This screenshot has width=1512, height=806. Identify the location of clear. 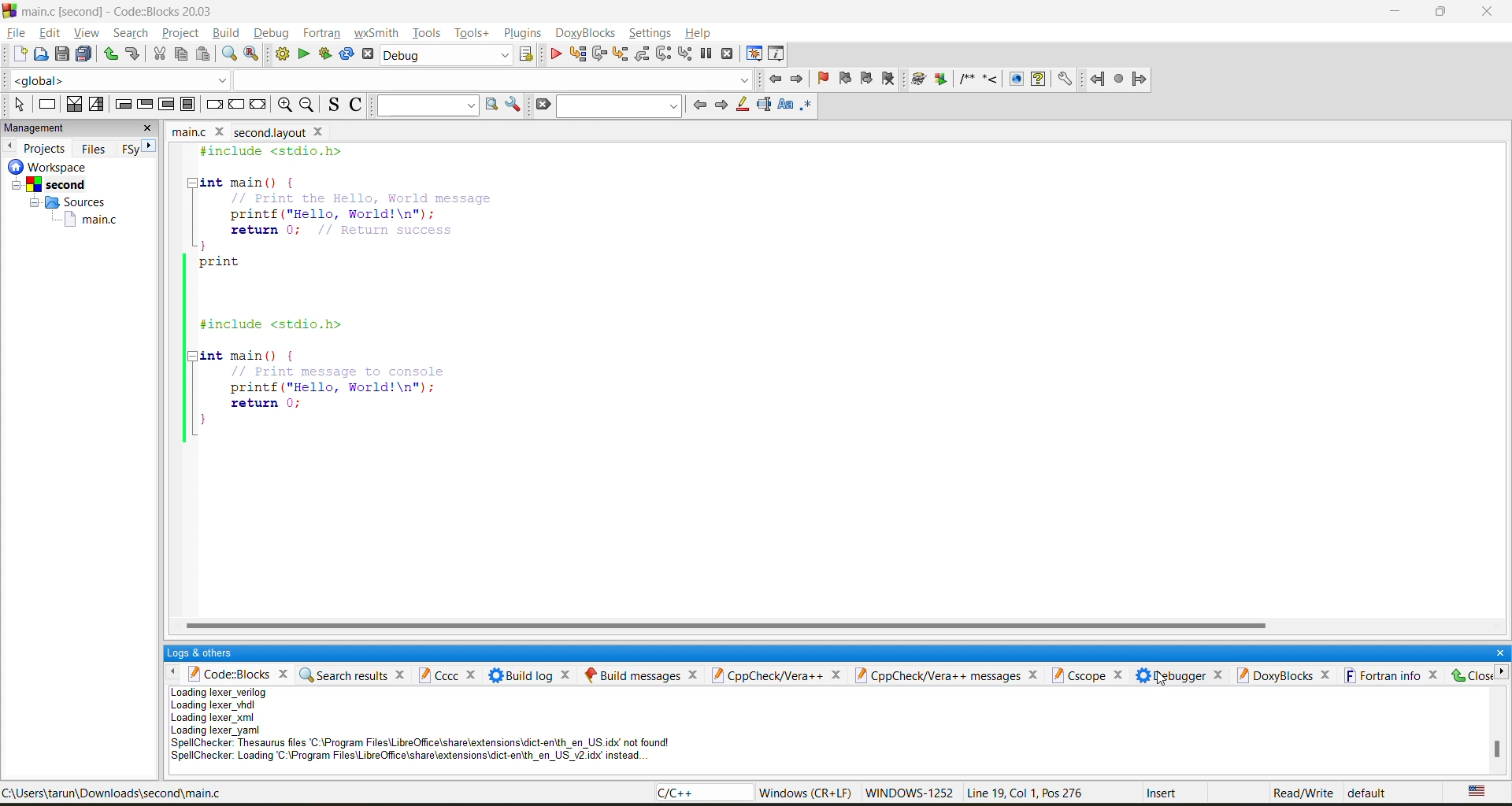
(543, 104).